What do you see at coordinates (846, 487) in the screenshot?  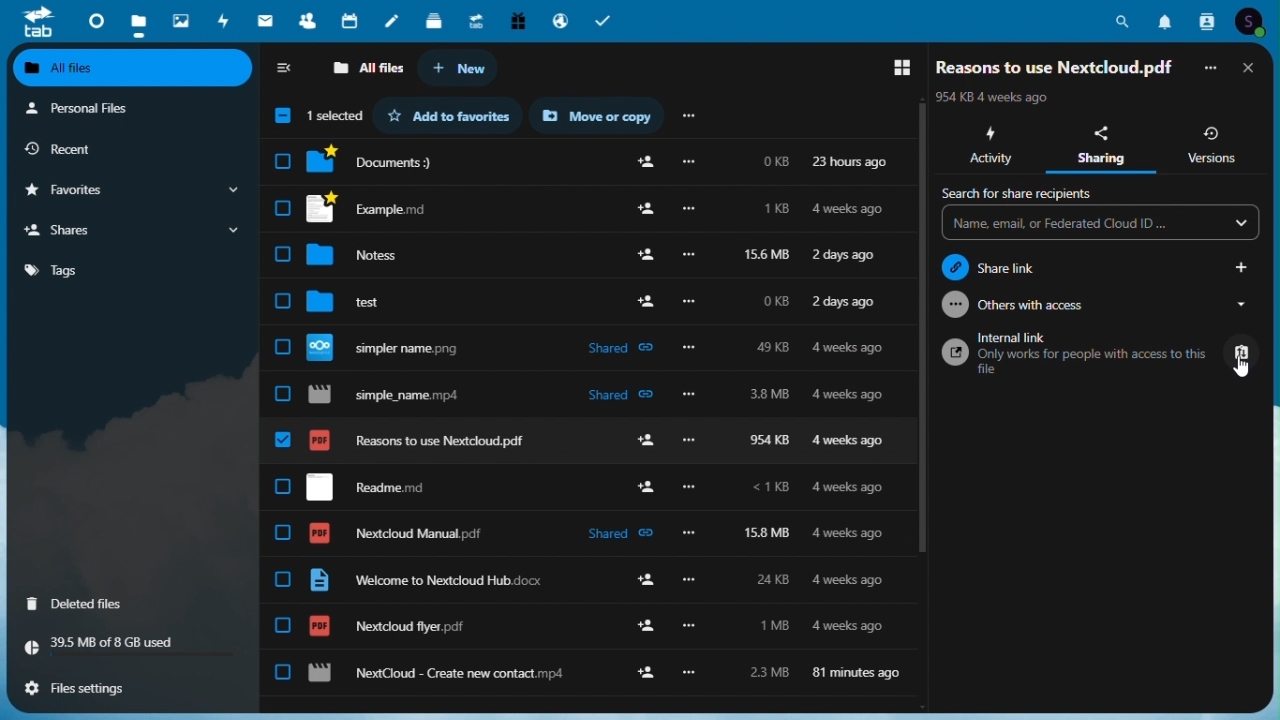 I see `4 weeks ago` at bounding box center [846, 487].